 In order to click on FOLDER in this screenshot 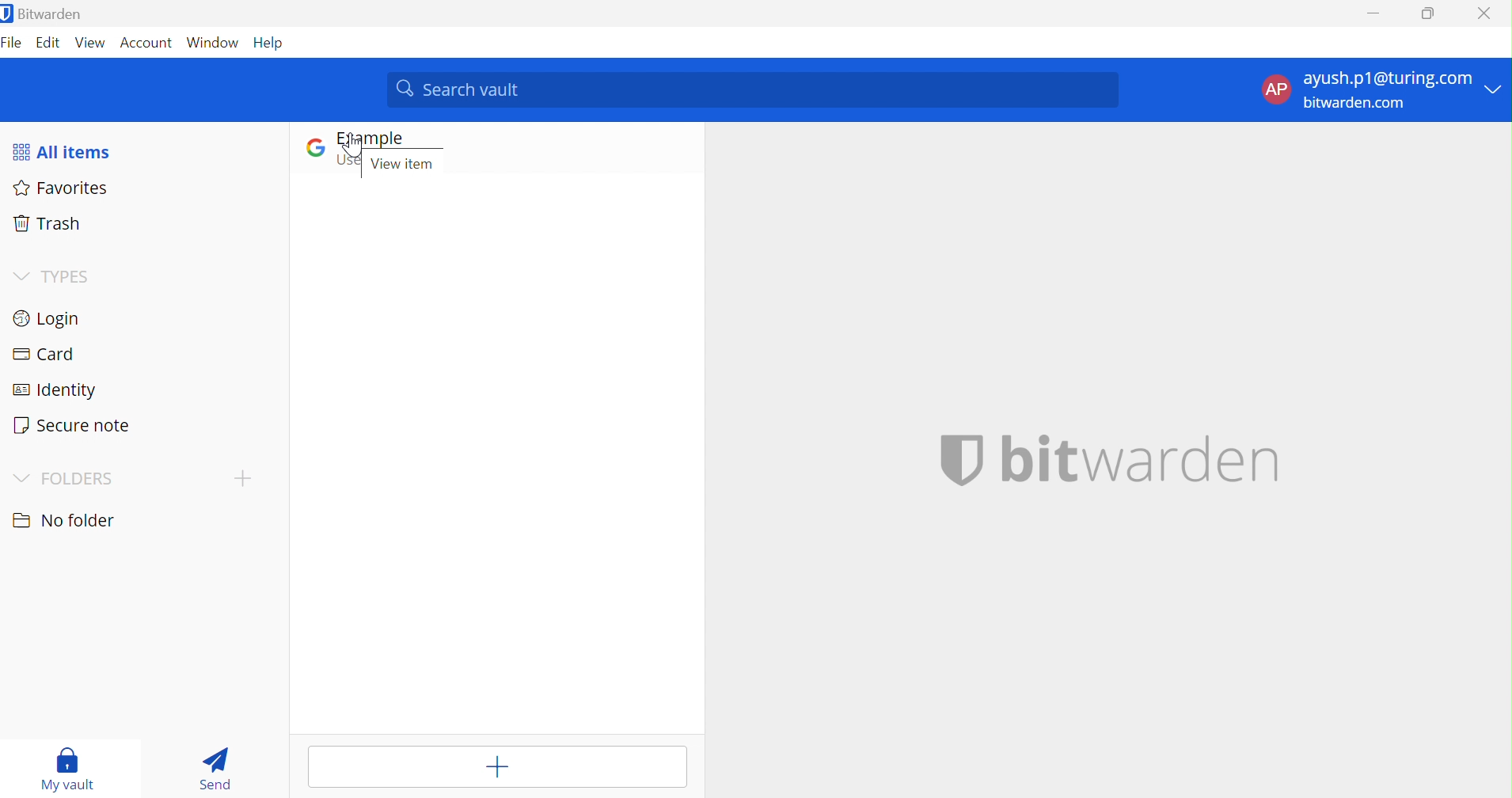, I will do `click(78, 477)`.